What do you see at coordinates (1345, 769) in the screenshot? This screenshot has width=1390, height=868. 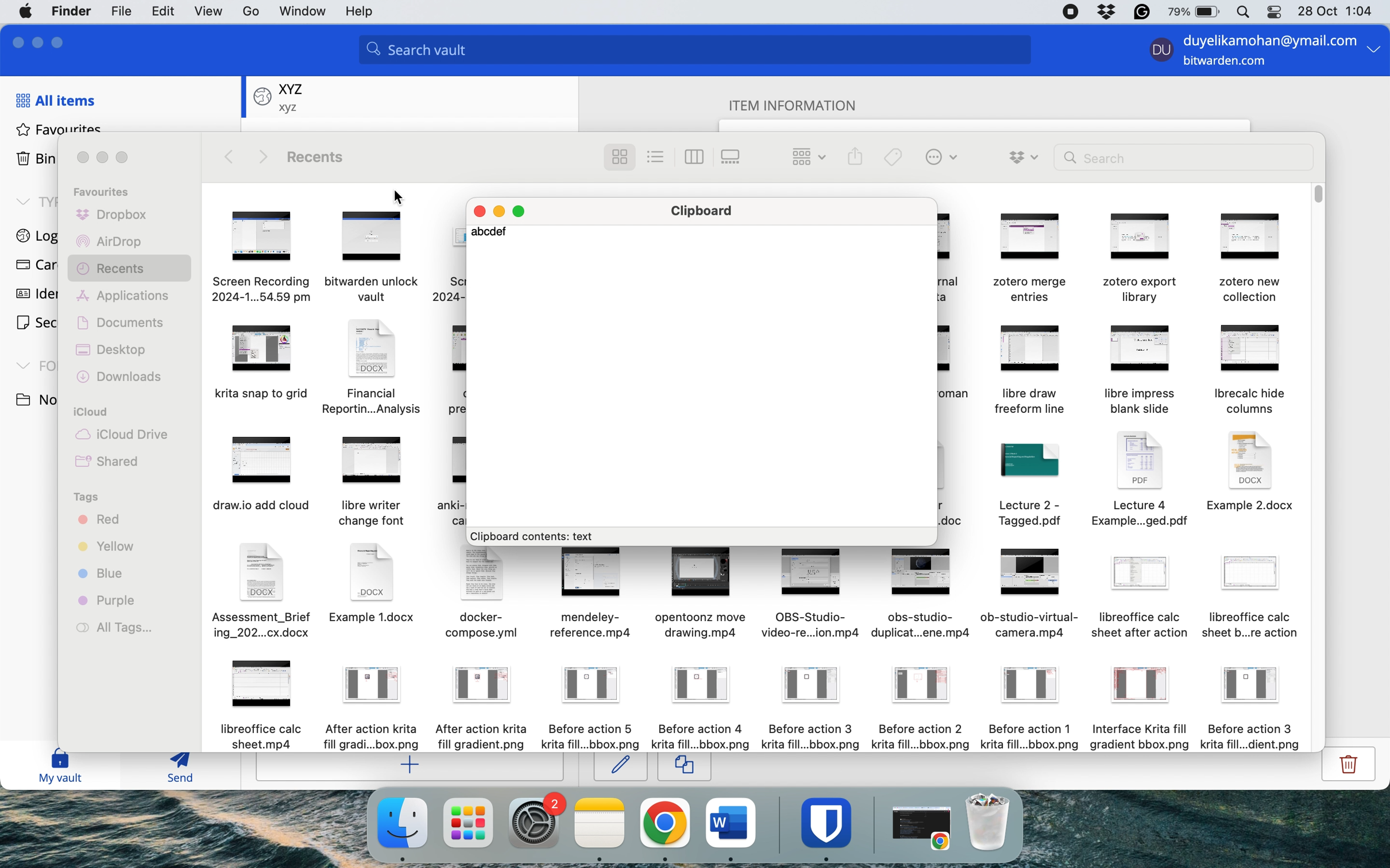 I see `delete` at bounding box center [1345, 769].